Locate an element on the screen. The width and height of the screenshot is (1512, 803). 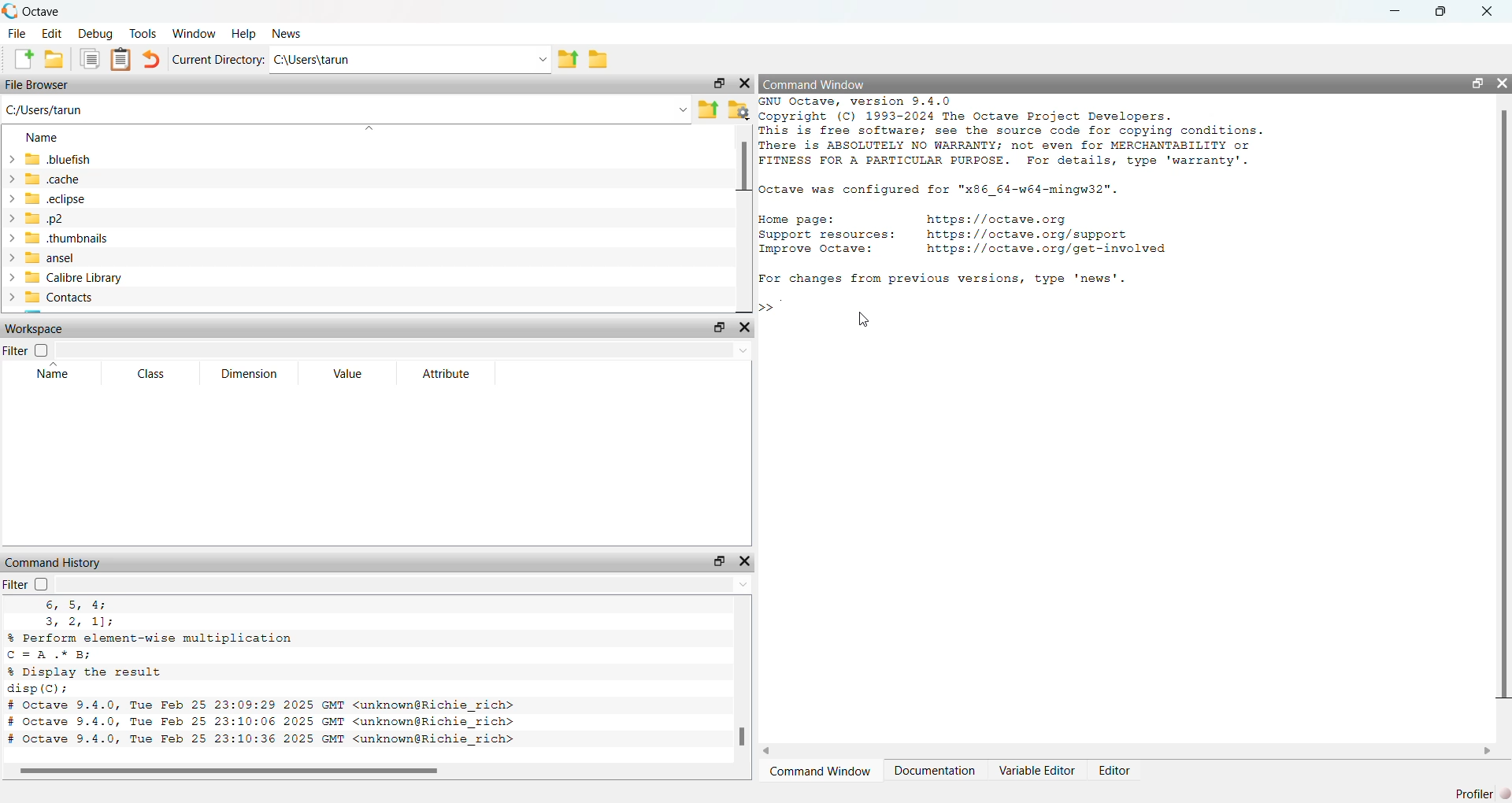
Restore Down is located at coordinates (718, 561).